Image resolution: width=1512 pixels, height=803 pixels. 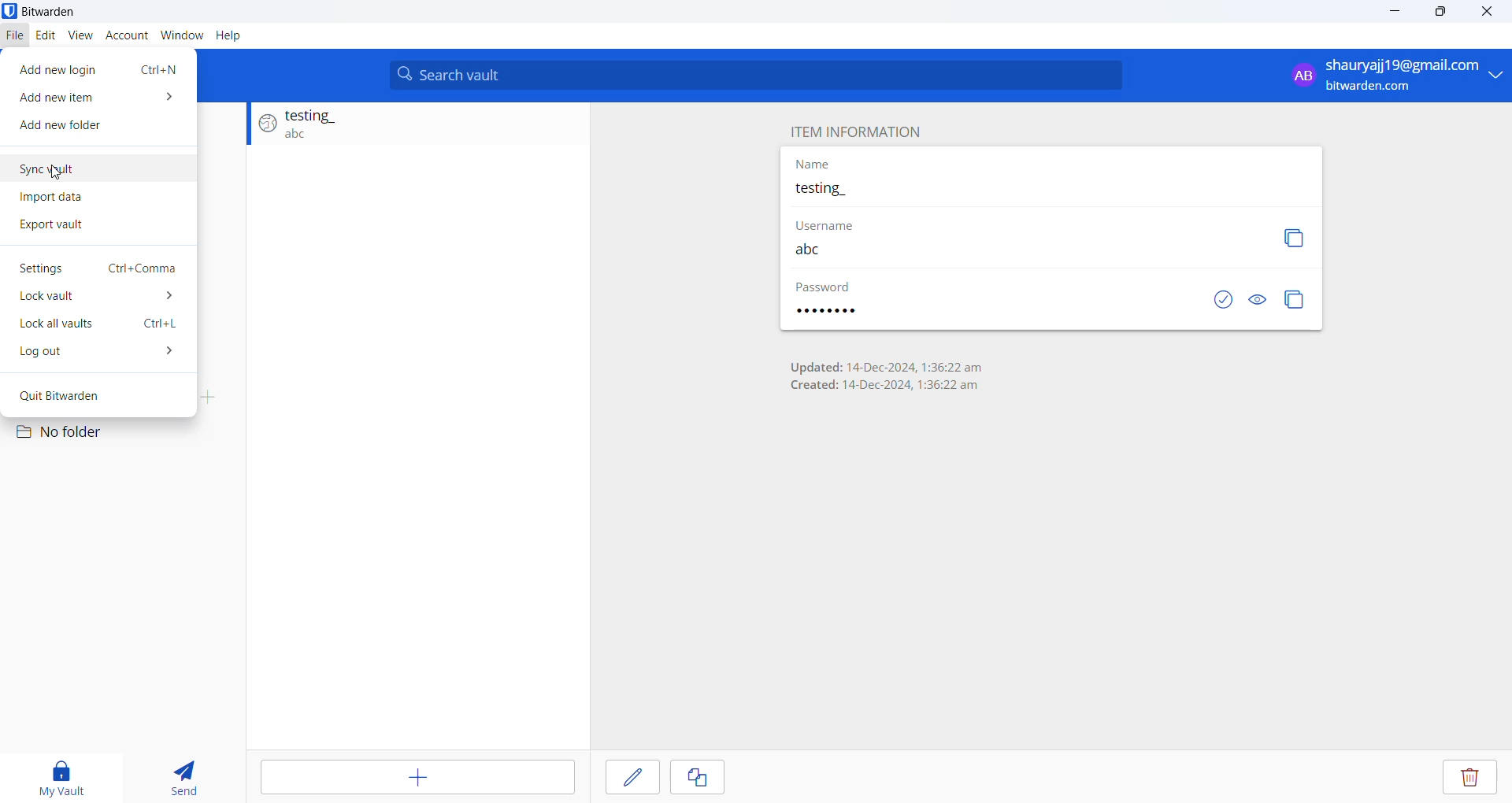 What do you see at coordinates (1051, 191) in the screenshot?
I see `Current login entry name` at bounding box center [1051, 191].